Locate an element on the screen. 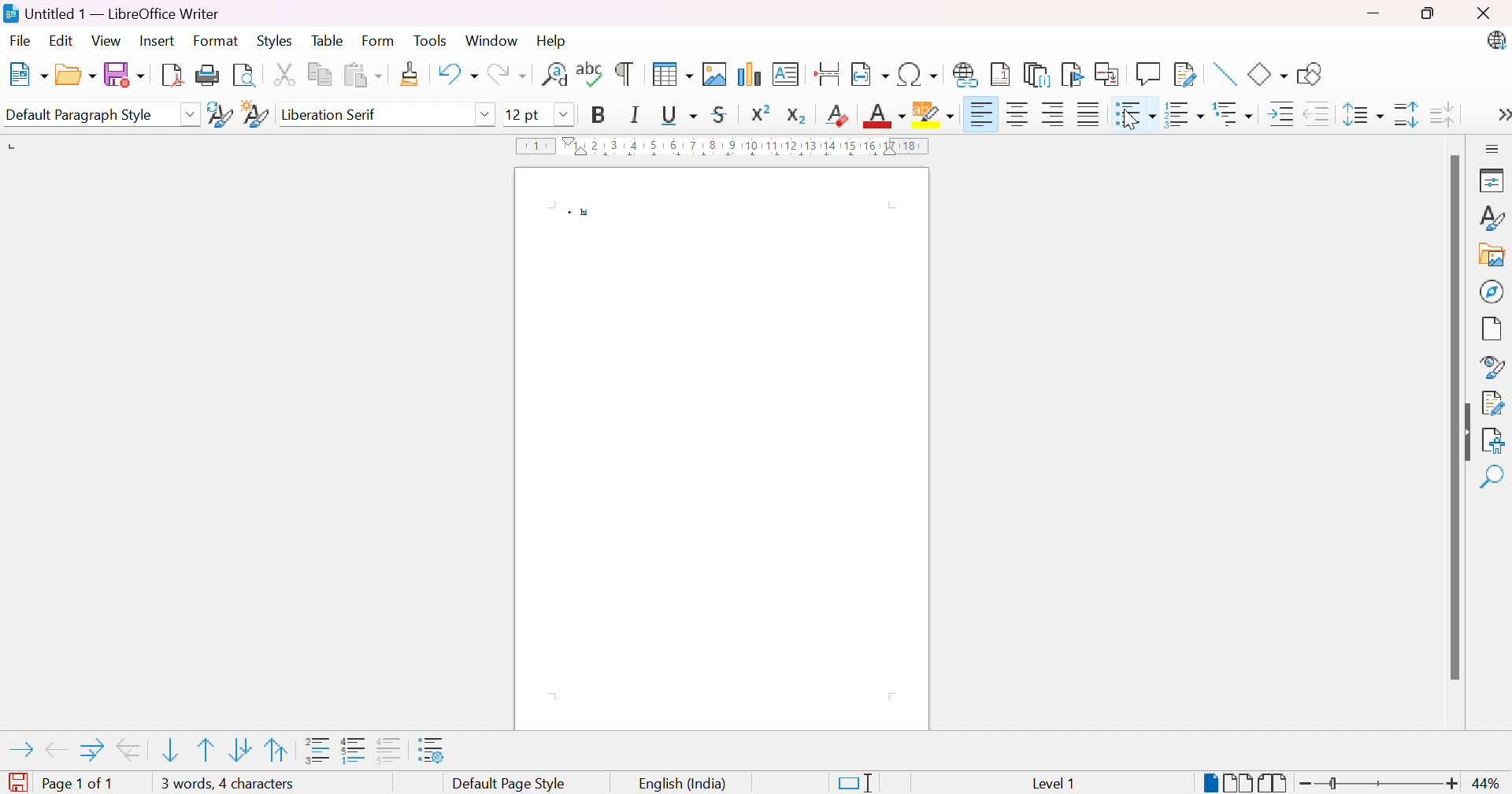  Italic is located at coordinates (632, 117).